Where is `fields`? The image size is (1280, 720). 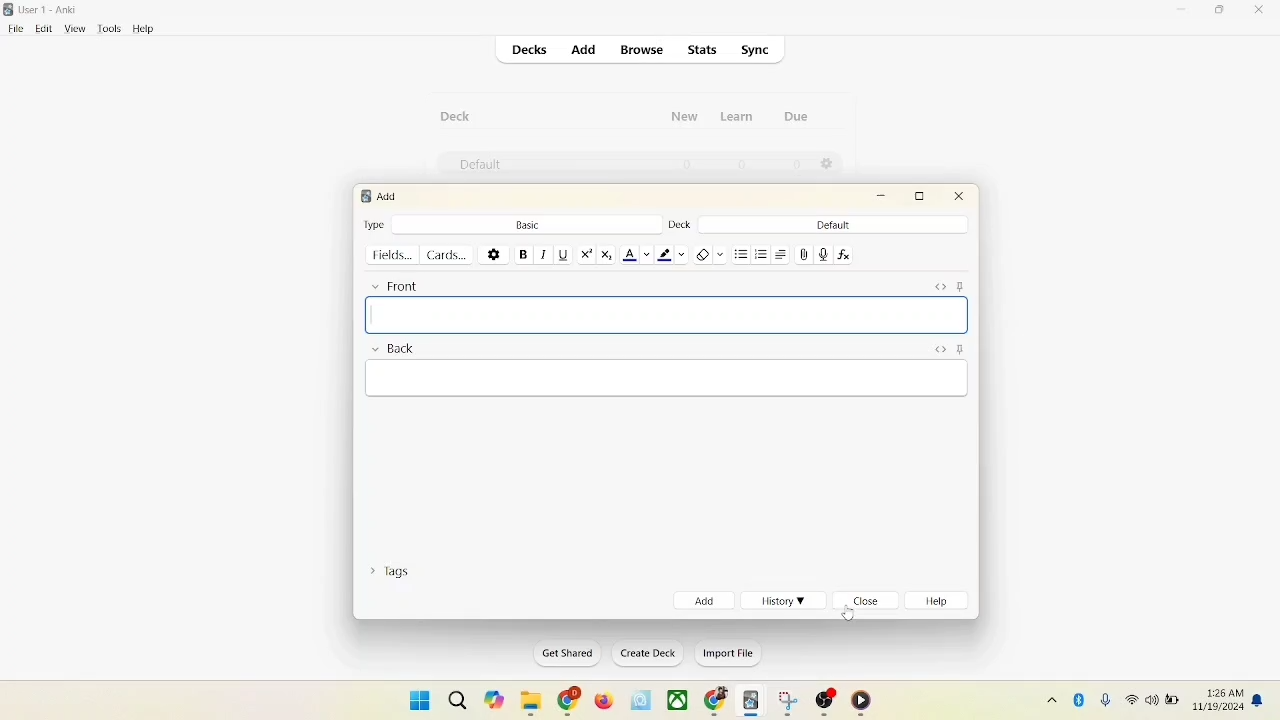 fields is located at coordinates (394, 255).